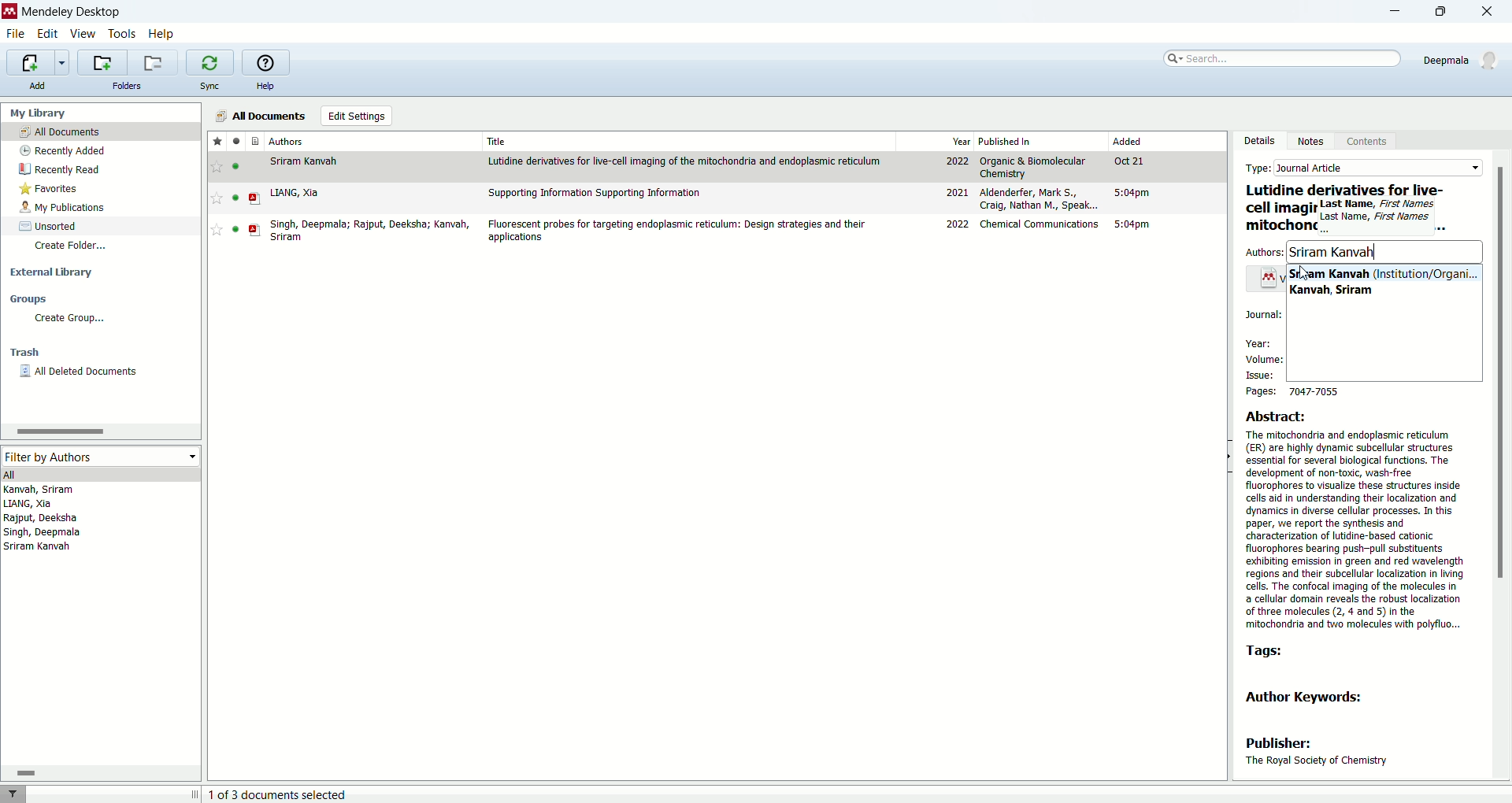 The image size is (1512, 803). What do you see at coordinates (130, 85) in the screenshot?
I see `folders` at bounding box center [130, 85].